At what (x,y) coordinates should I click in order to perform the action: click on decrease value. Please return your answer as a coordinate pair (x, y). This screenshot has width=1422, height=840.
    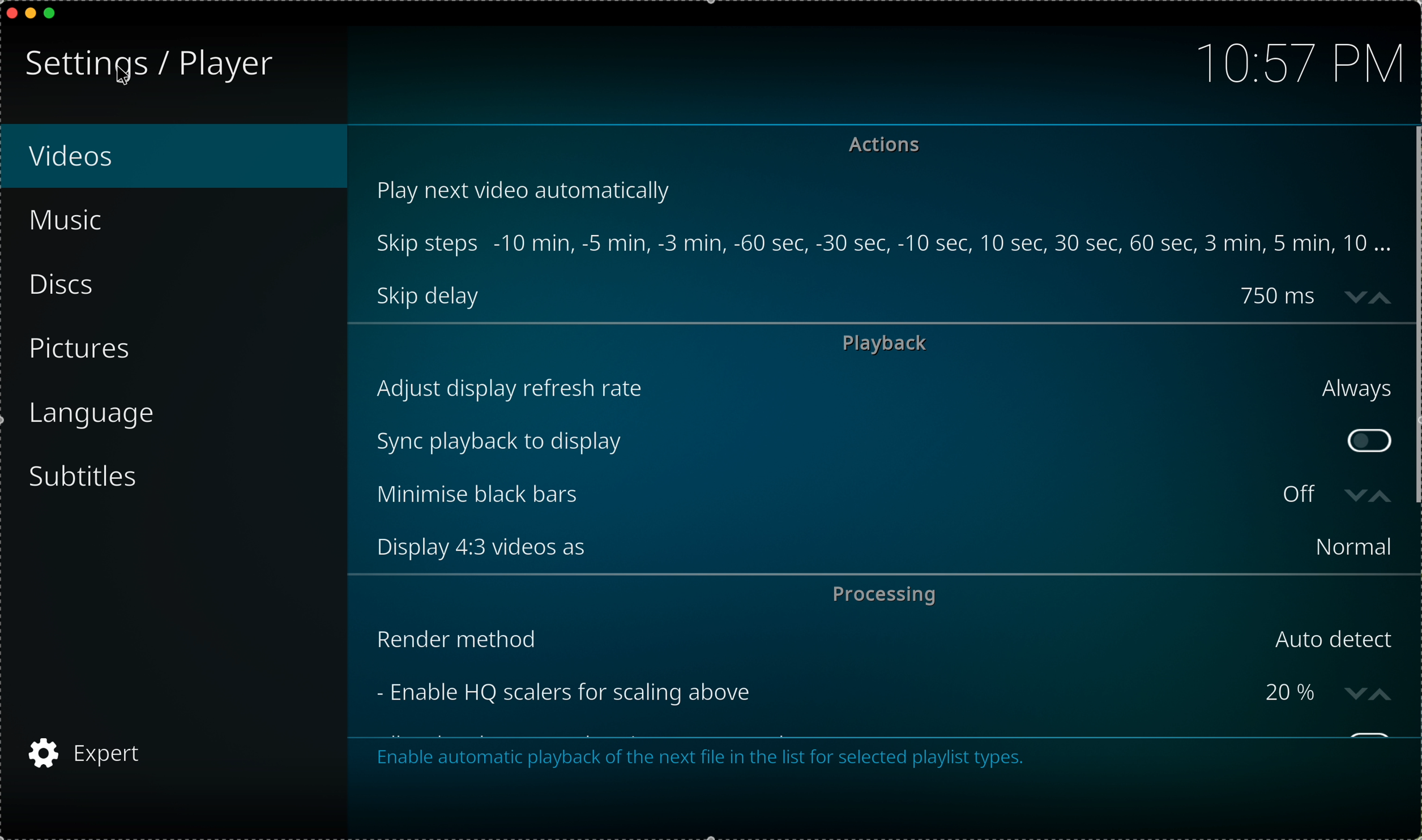
    Looking at the image, I should click on (1353, 496).